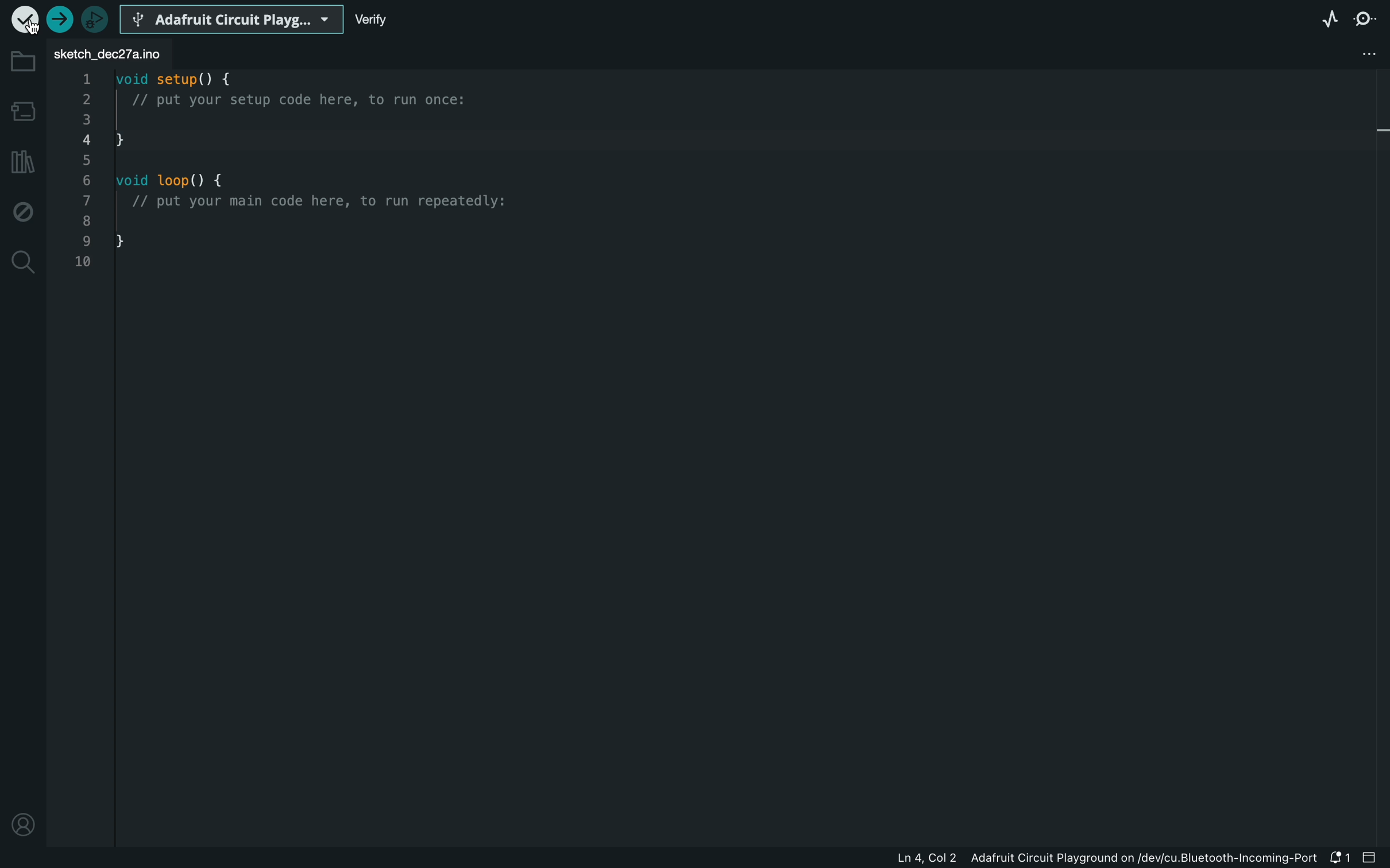  Describe the element at coordinates (118, 53) in the screenshot. I see `file tab` at that location.